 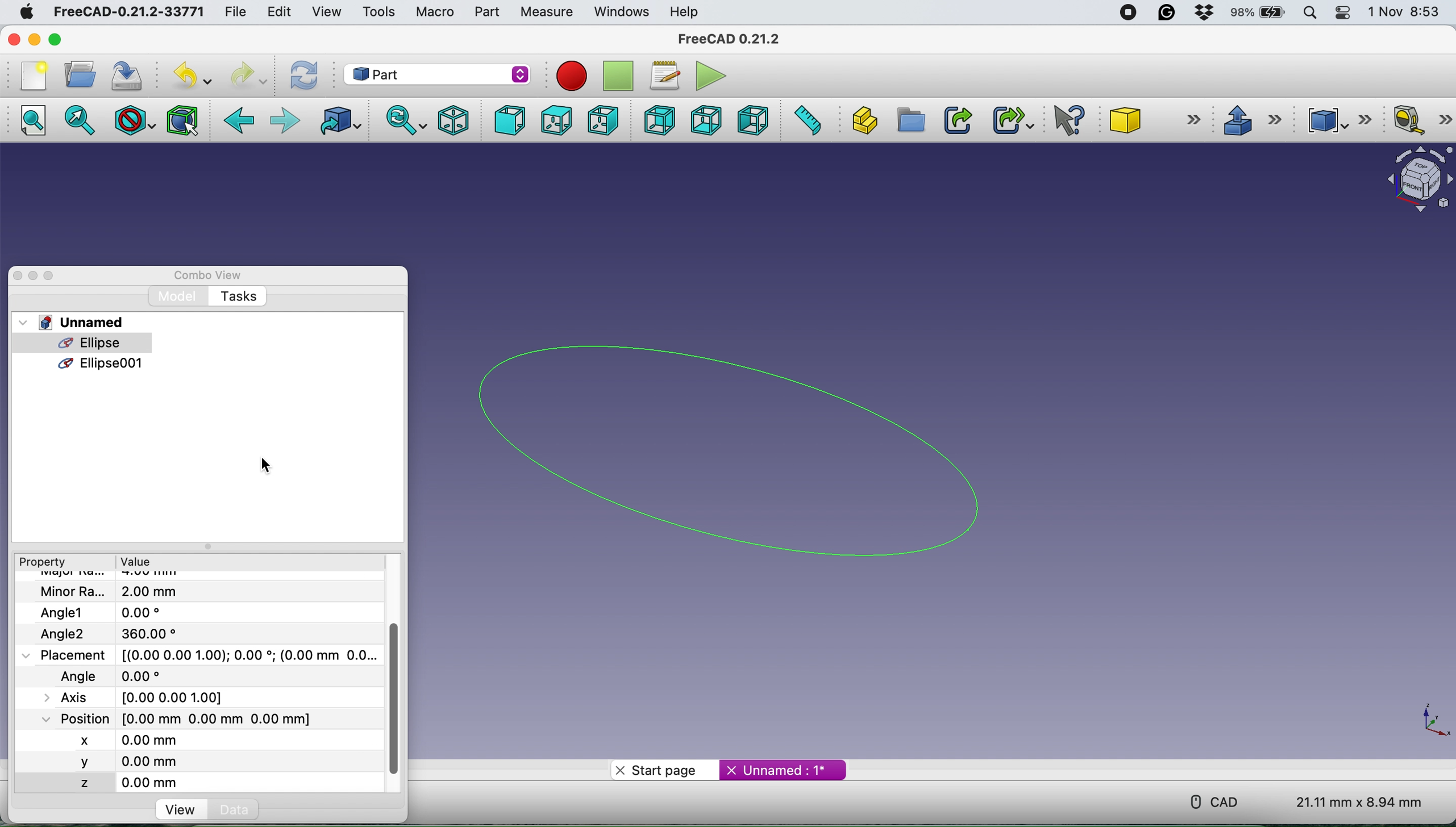 What do you see at coordinates (779, 770) in the screenshot?
I see `unnamed` at bounding box center [779, 770].